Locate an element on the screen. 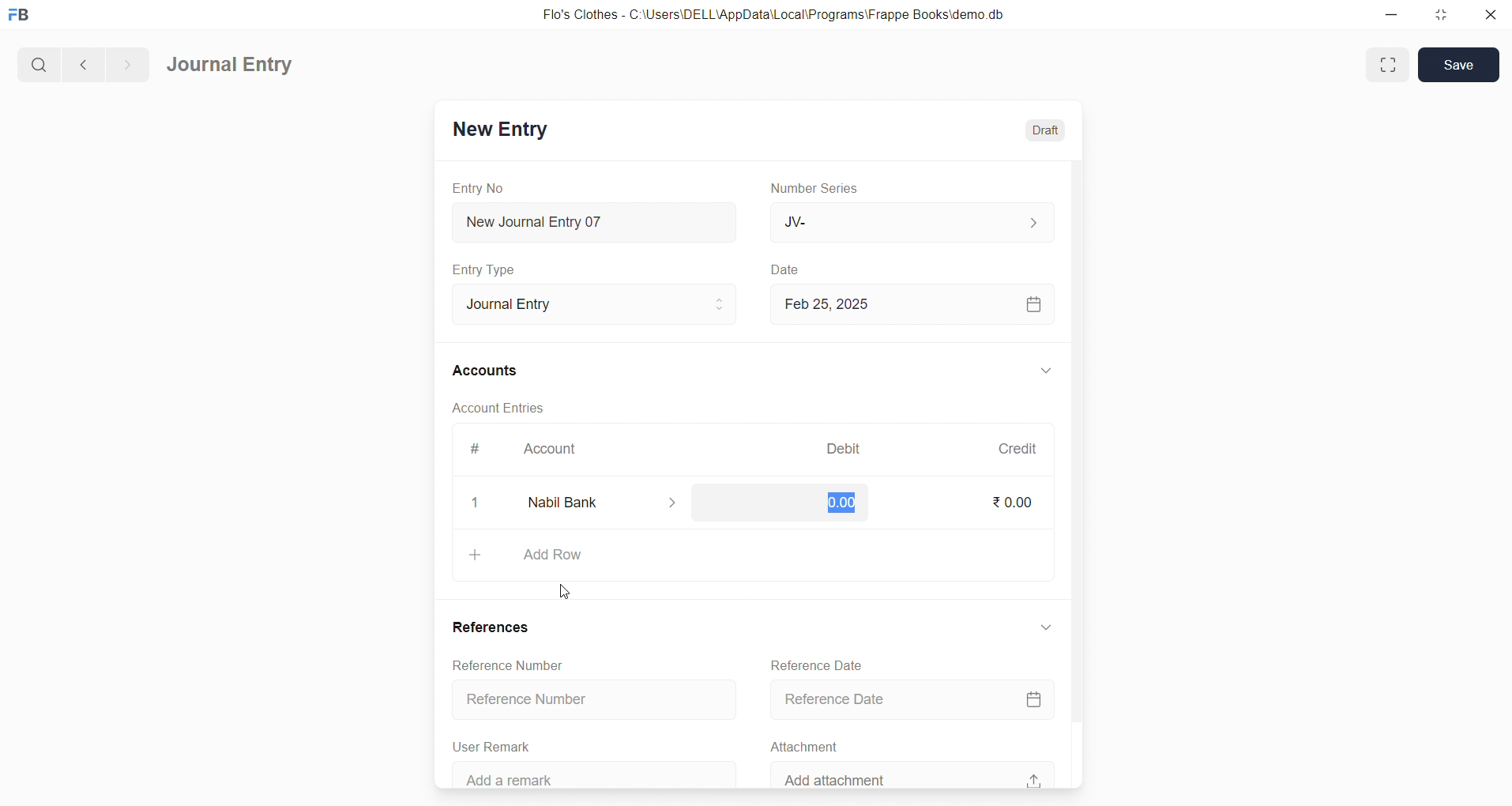 Image resolution: width=1512 pixels, height=806 pixels. vertical scroll bar is located at coordinates (1076, 472).